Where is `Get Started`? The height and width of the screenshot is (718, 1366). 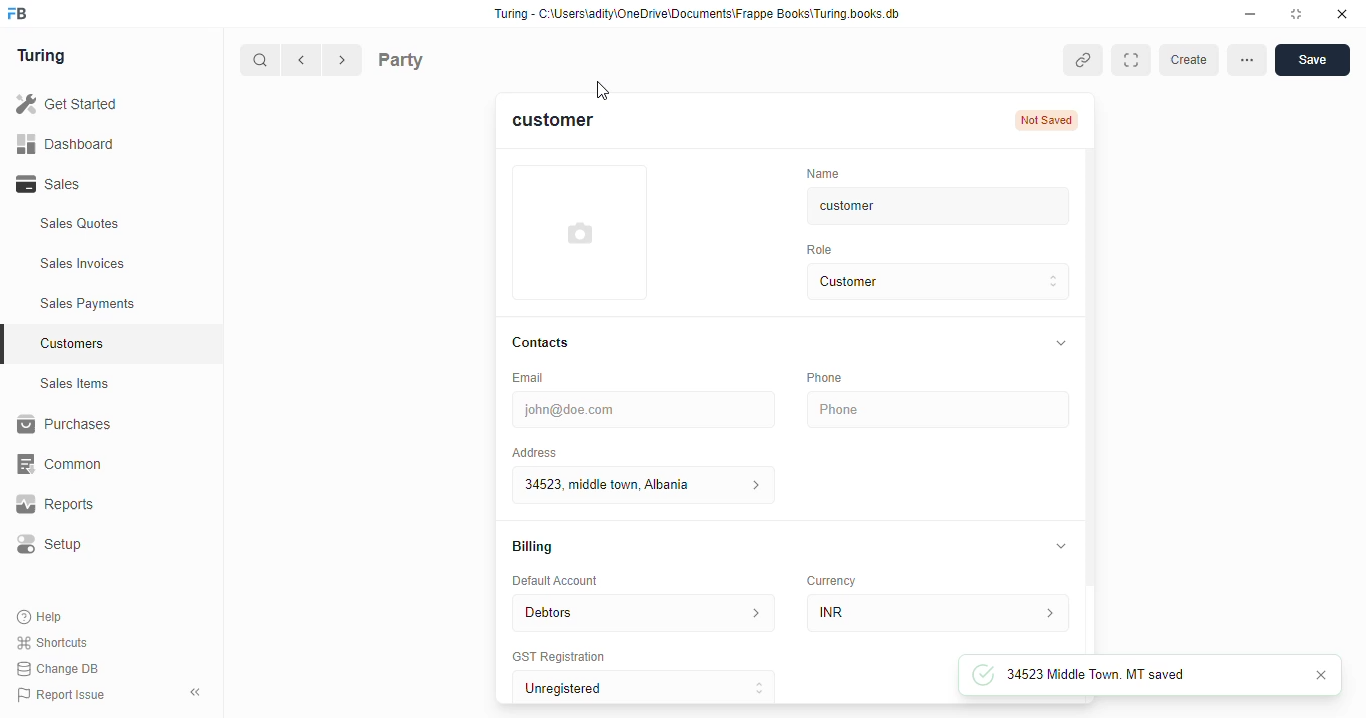
Get Started is located at coordinates (93, 105).